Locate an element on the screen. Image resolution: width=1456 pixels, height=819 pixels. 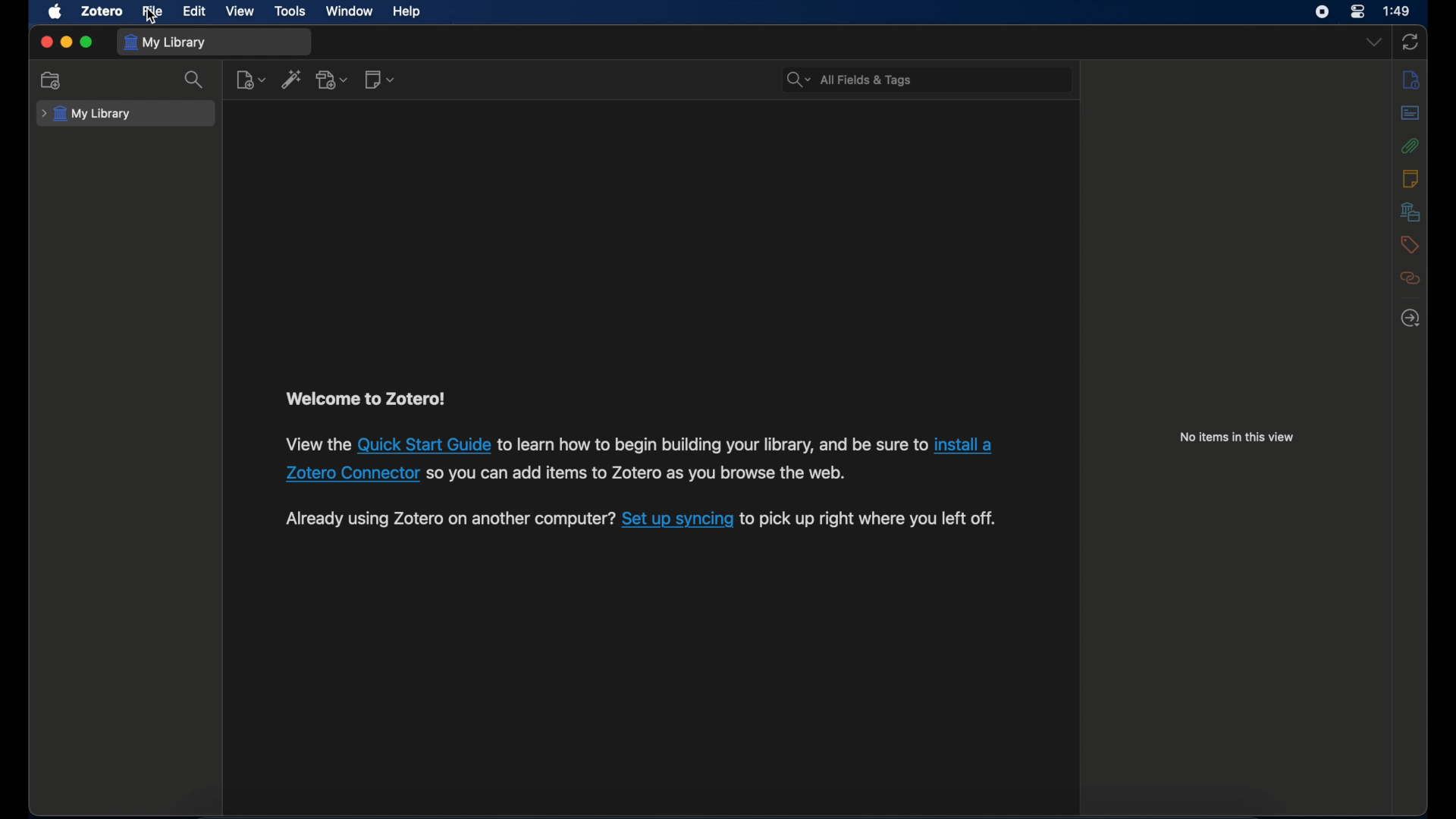
welcome  to zotero is located at coordinates (364, 399).